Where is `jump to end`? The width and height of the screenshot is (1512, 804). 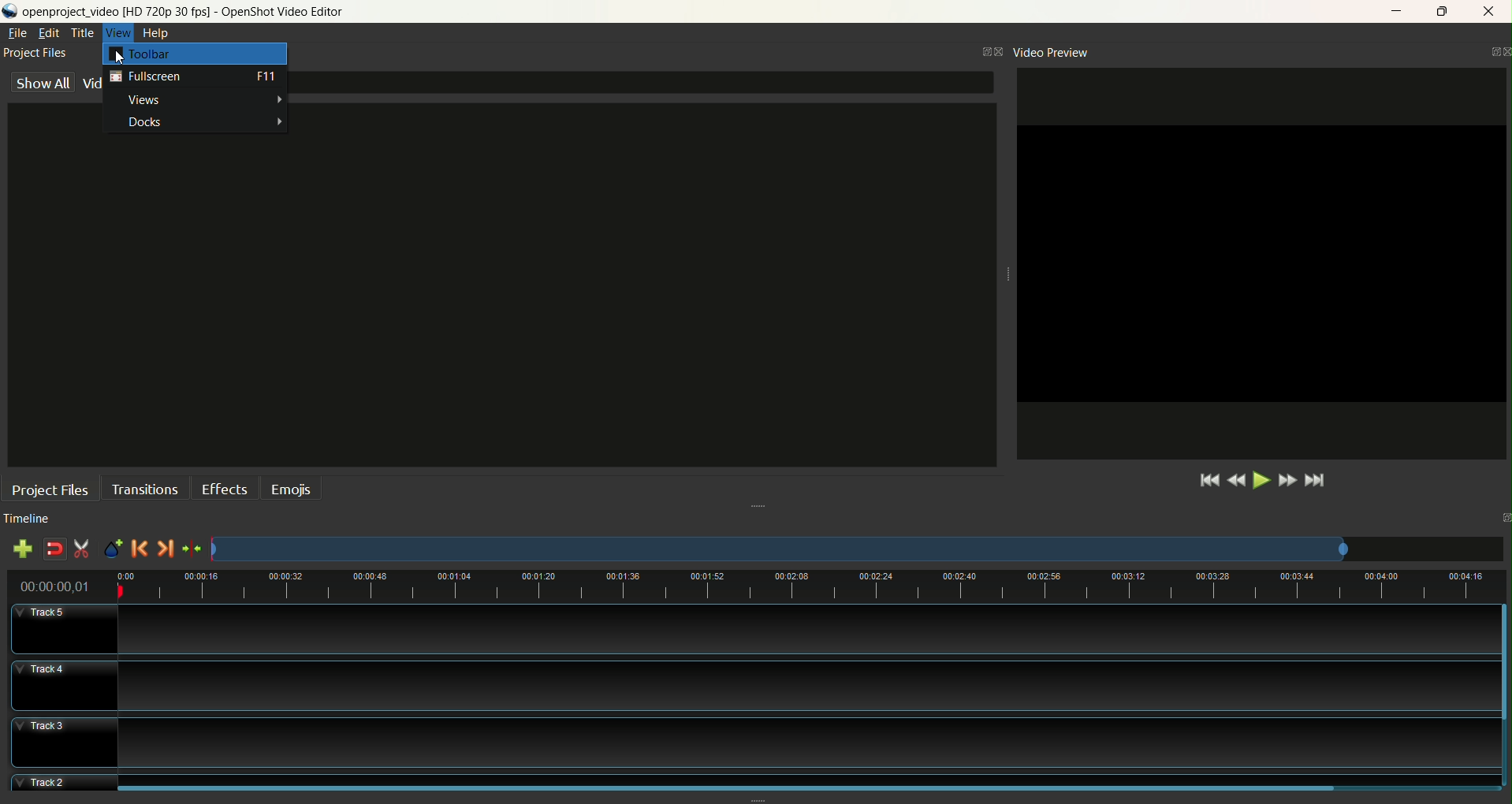 jump to end is located at coordinates (1317, 482).